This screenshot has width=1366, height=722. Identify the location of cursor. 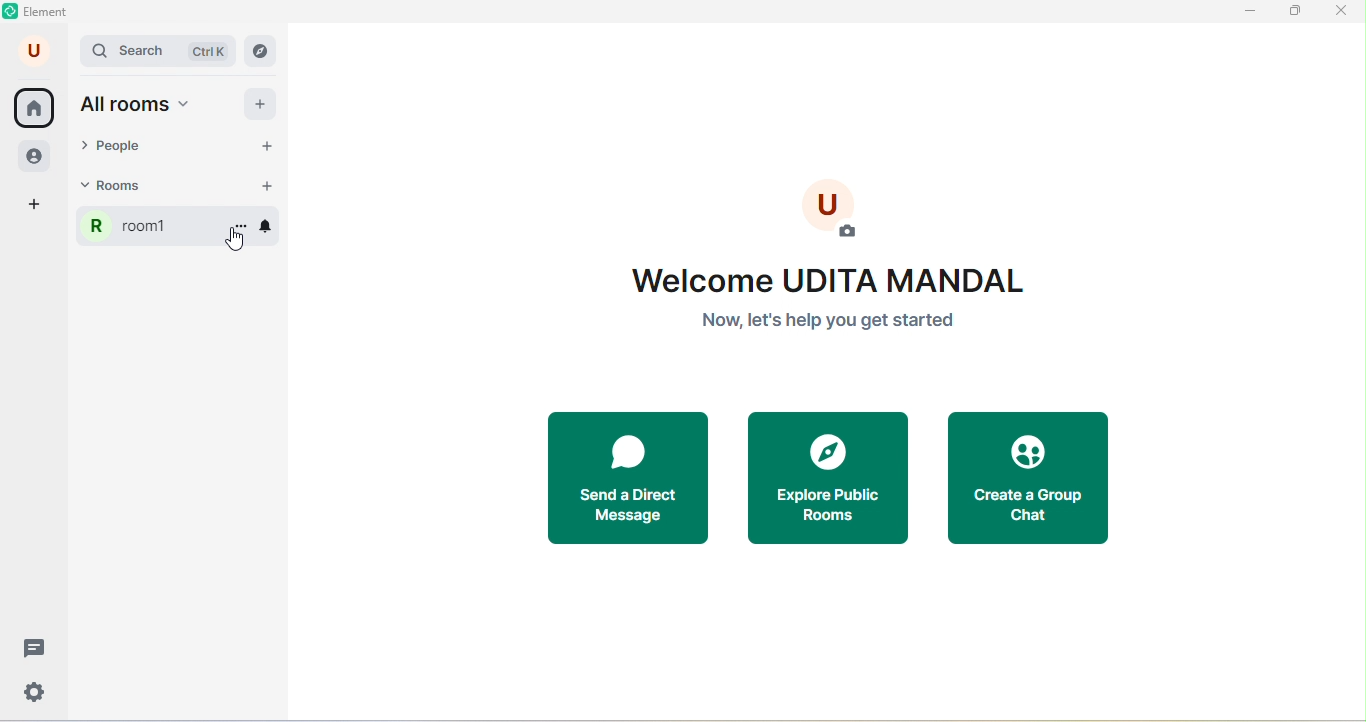
(232, 246).